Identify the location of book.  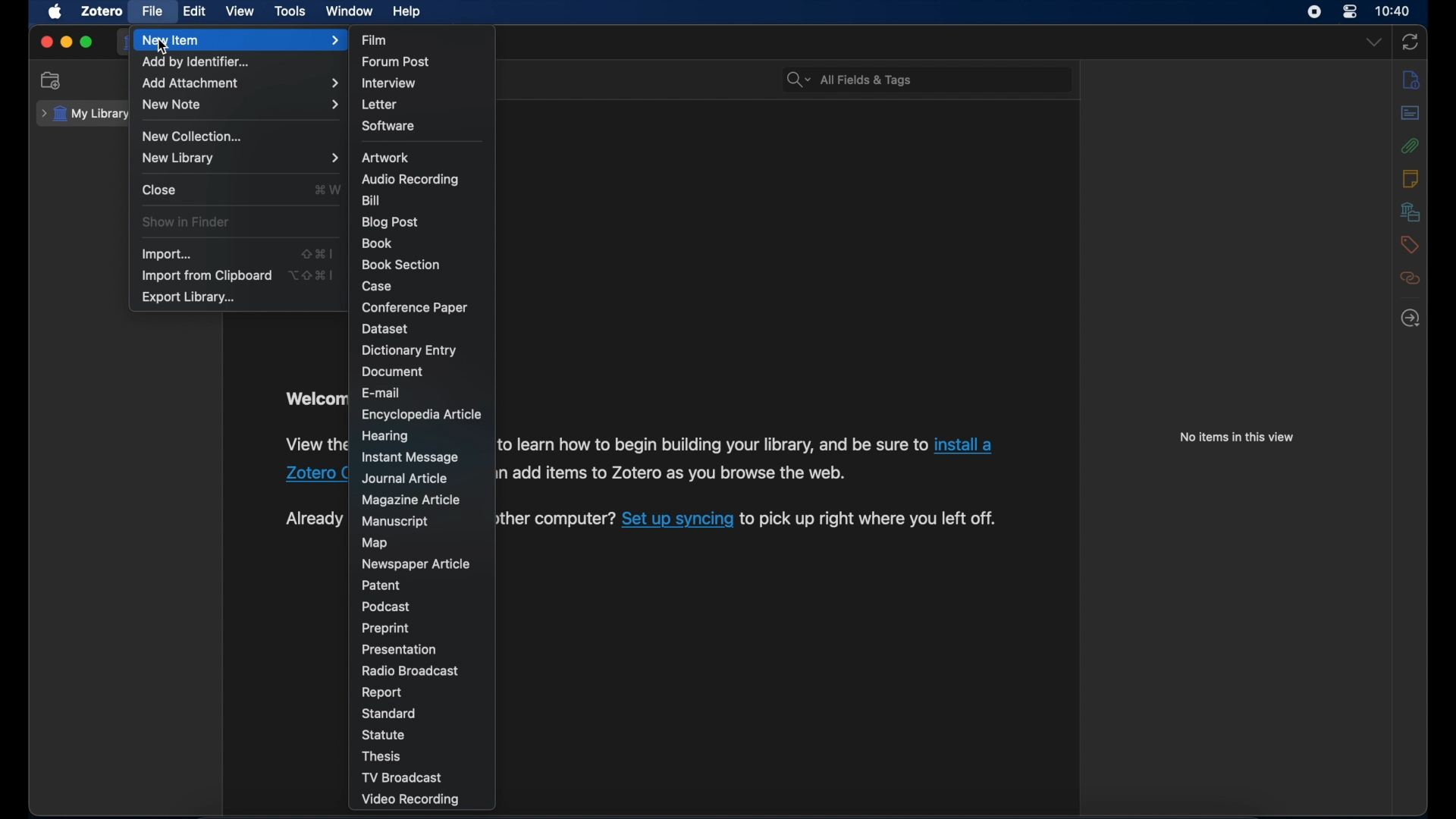
(378, 243).